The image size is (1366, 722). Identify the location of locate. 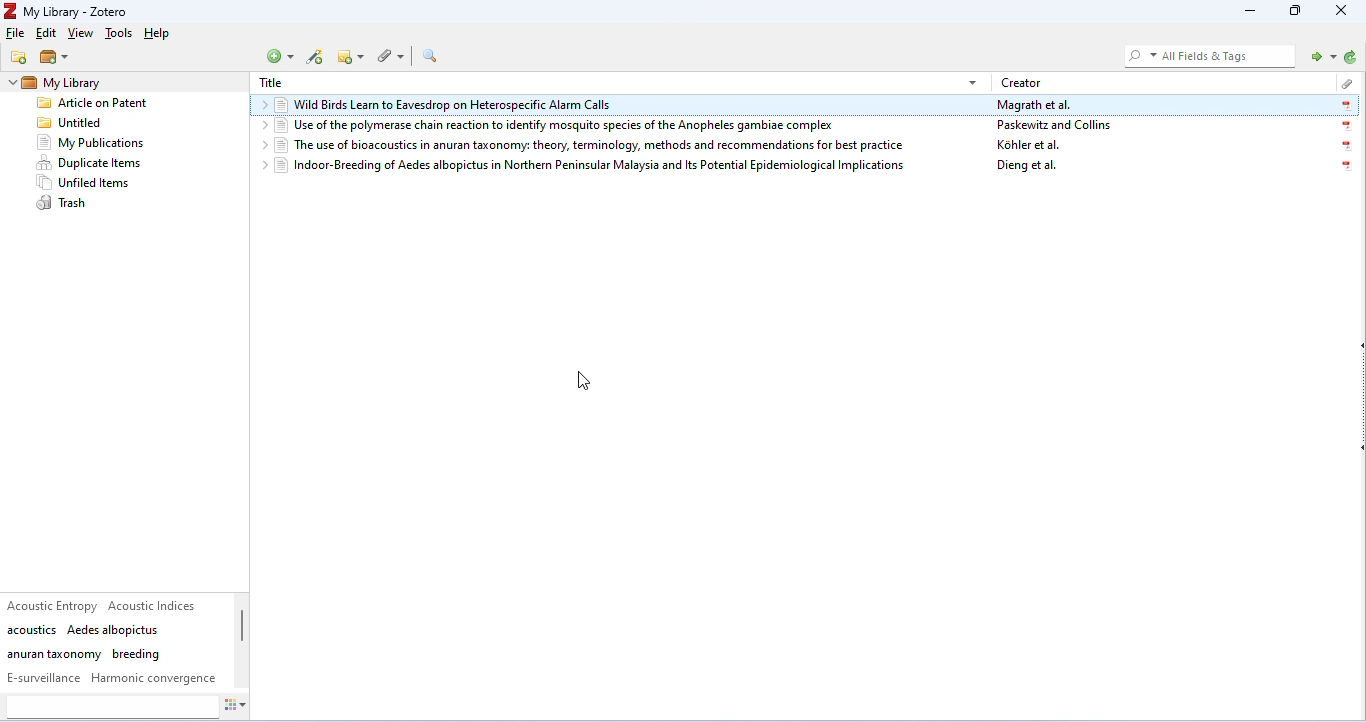
(1319, 55).